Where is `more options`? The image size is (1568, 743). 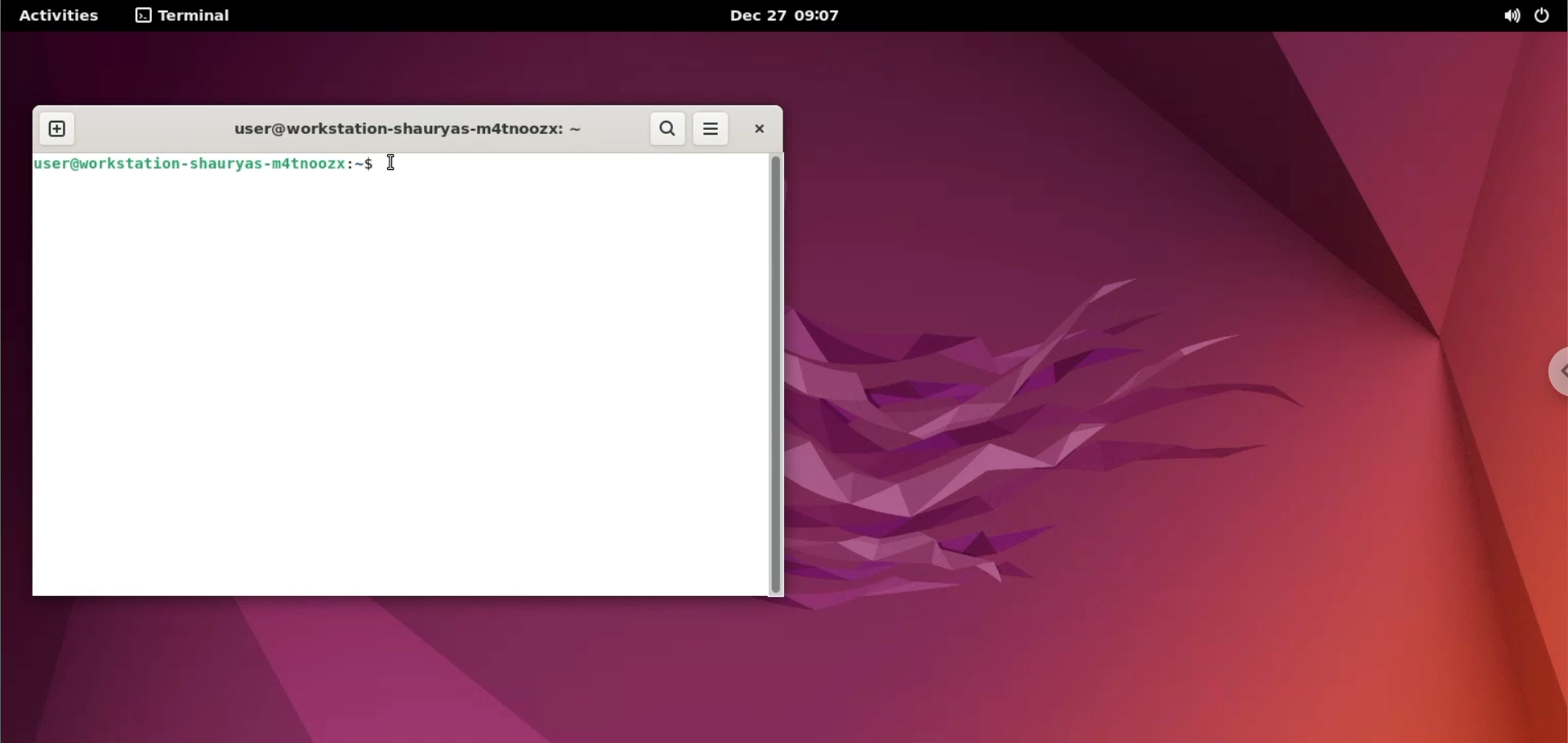 more options is located at coordinates (710, 128).